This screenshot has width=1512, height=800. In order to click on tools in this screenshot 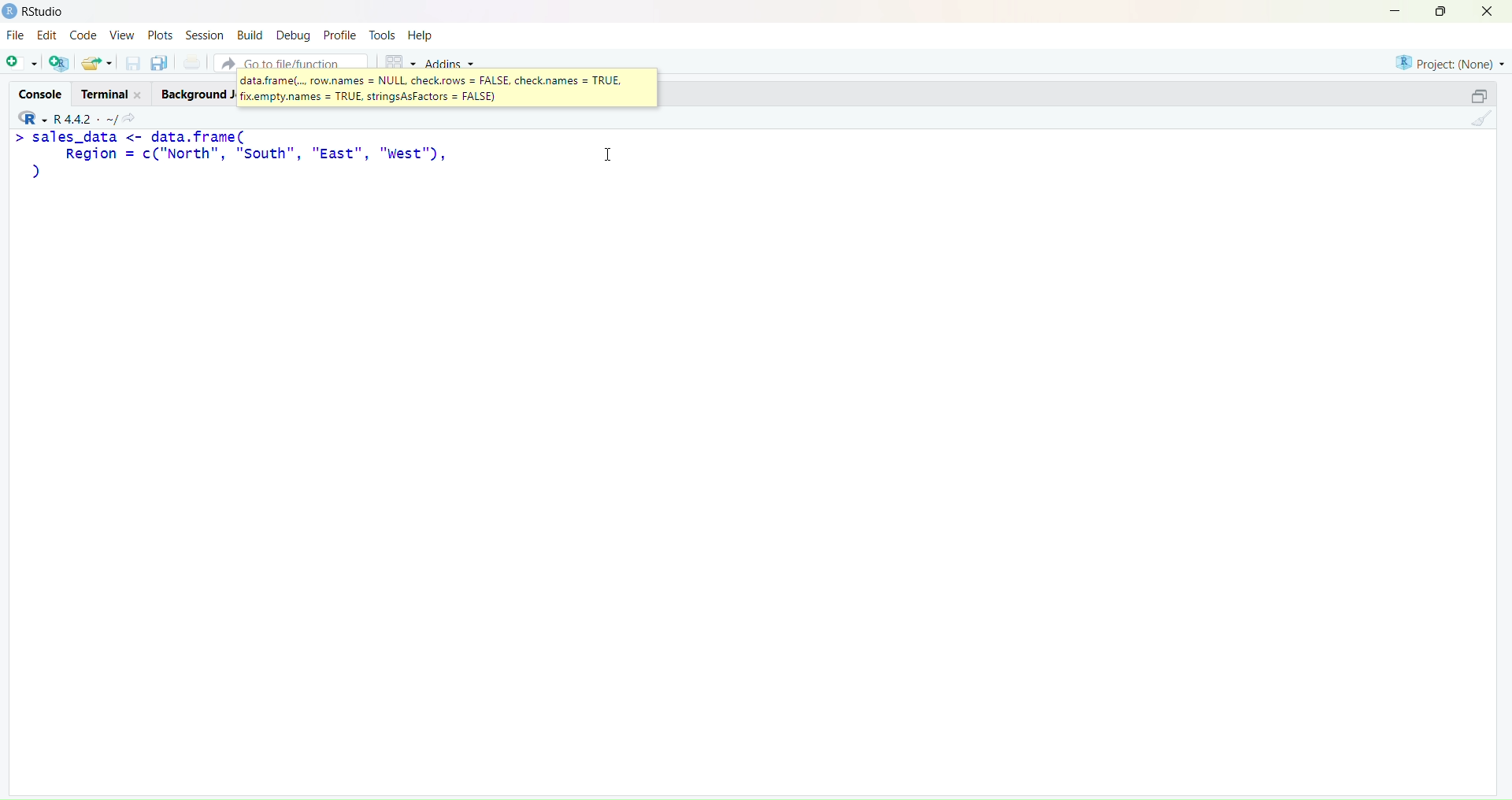, I will do `click(382, 35)`.